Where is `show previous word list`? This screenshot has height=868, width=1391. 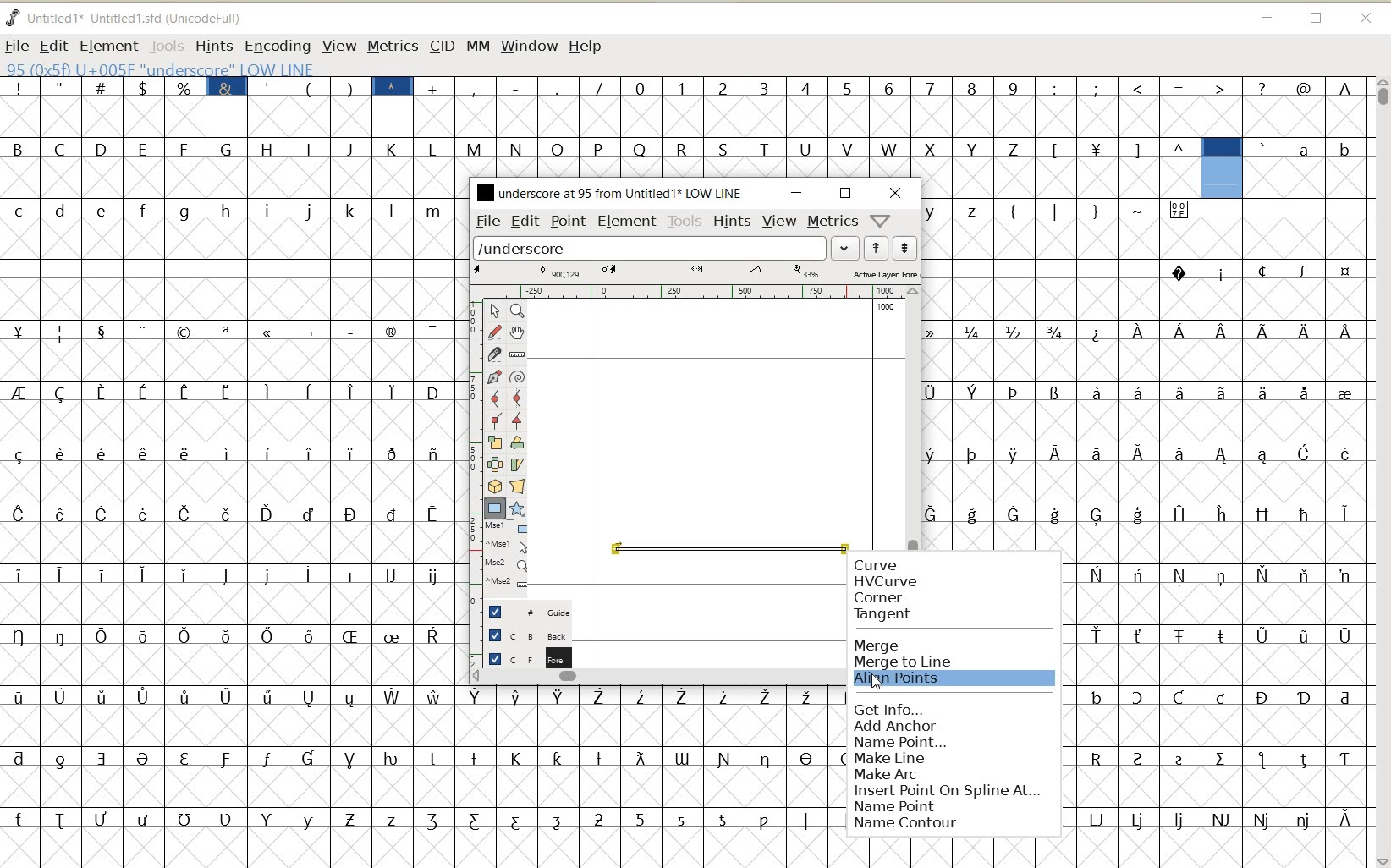
show previous word list is located at coordinates (877, 248).